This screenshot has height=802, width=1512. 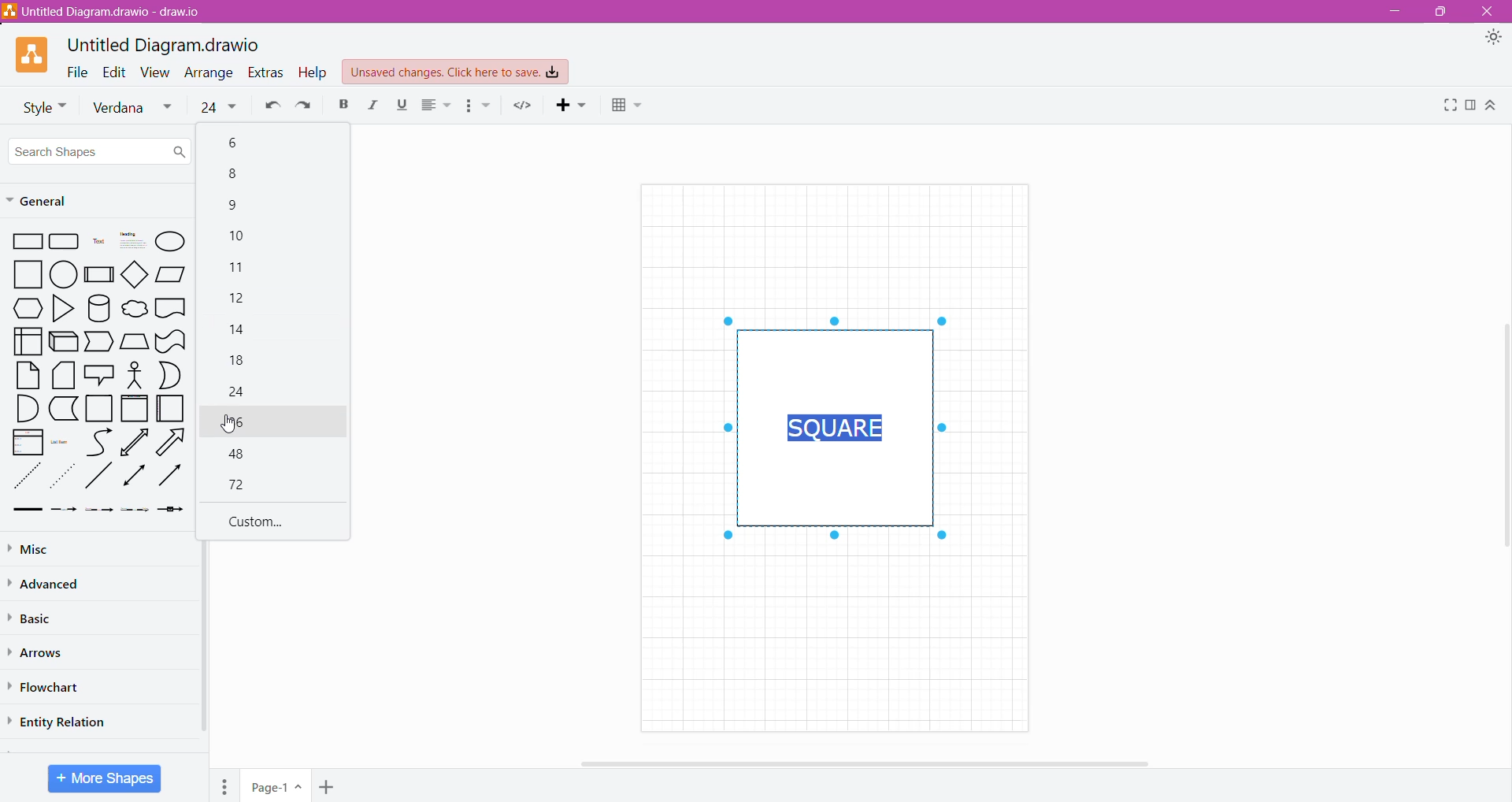 What do you see at coordinates (241, 362) in the screenshot?
I see `18` at bounding box center [241, 362].